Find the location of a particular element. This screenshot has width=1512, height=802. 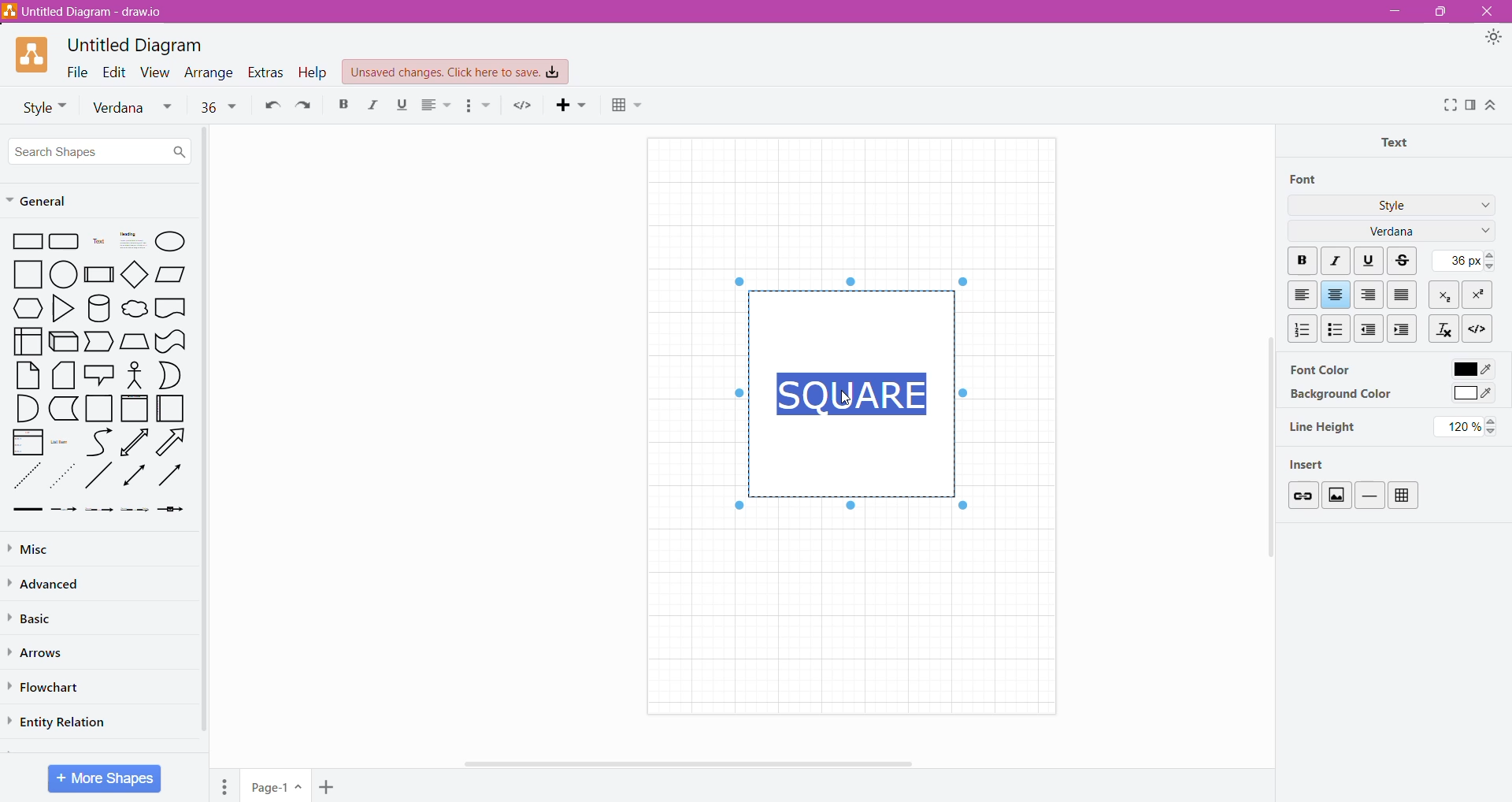

Superscript is located at coordinates (1479, 295).